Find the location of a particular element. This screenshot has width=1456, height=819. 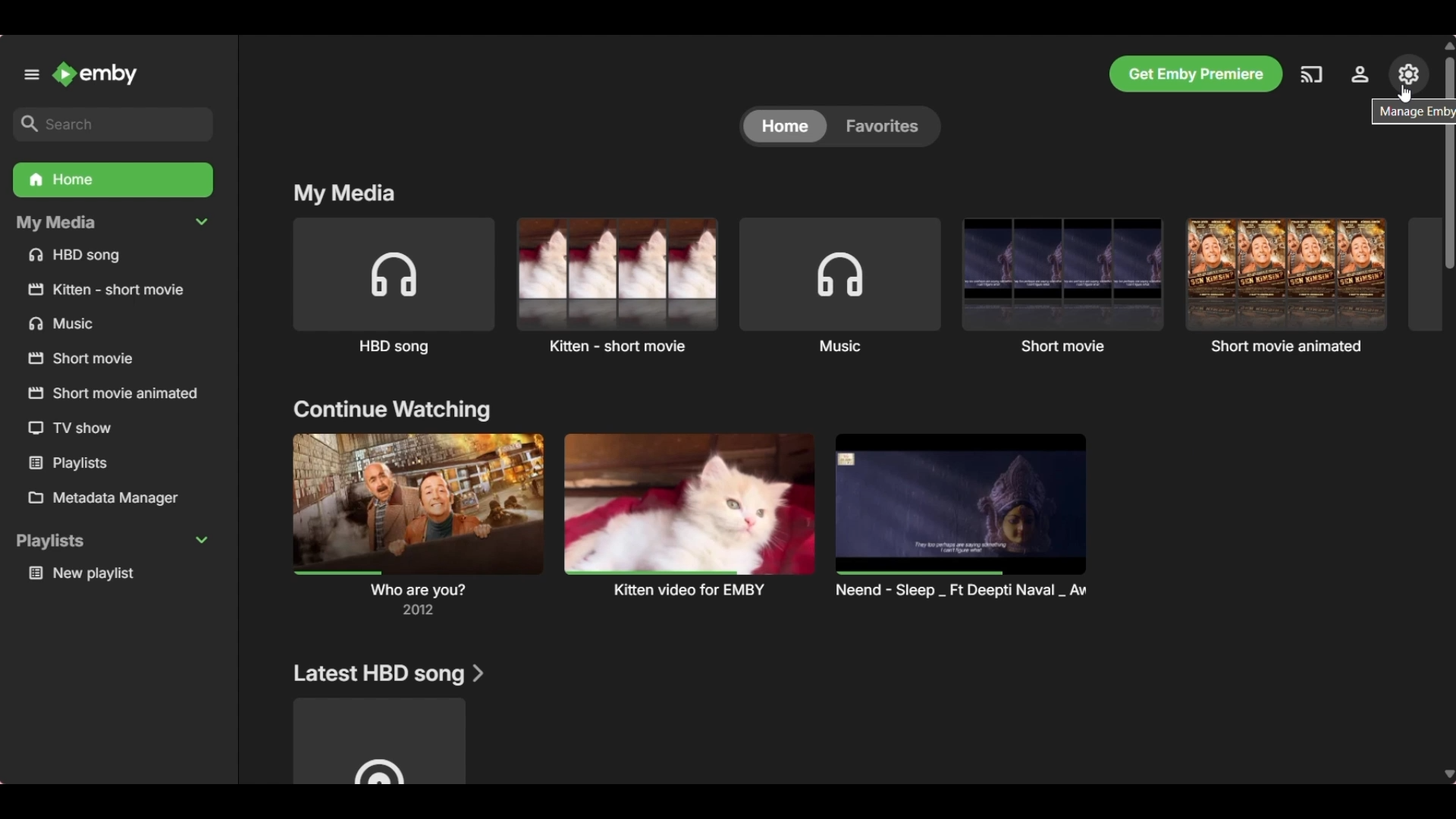

Media under playlists is located at coordinates (118, 573).